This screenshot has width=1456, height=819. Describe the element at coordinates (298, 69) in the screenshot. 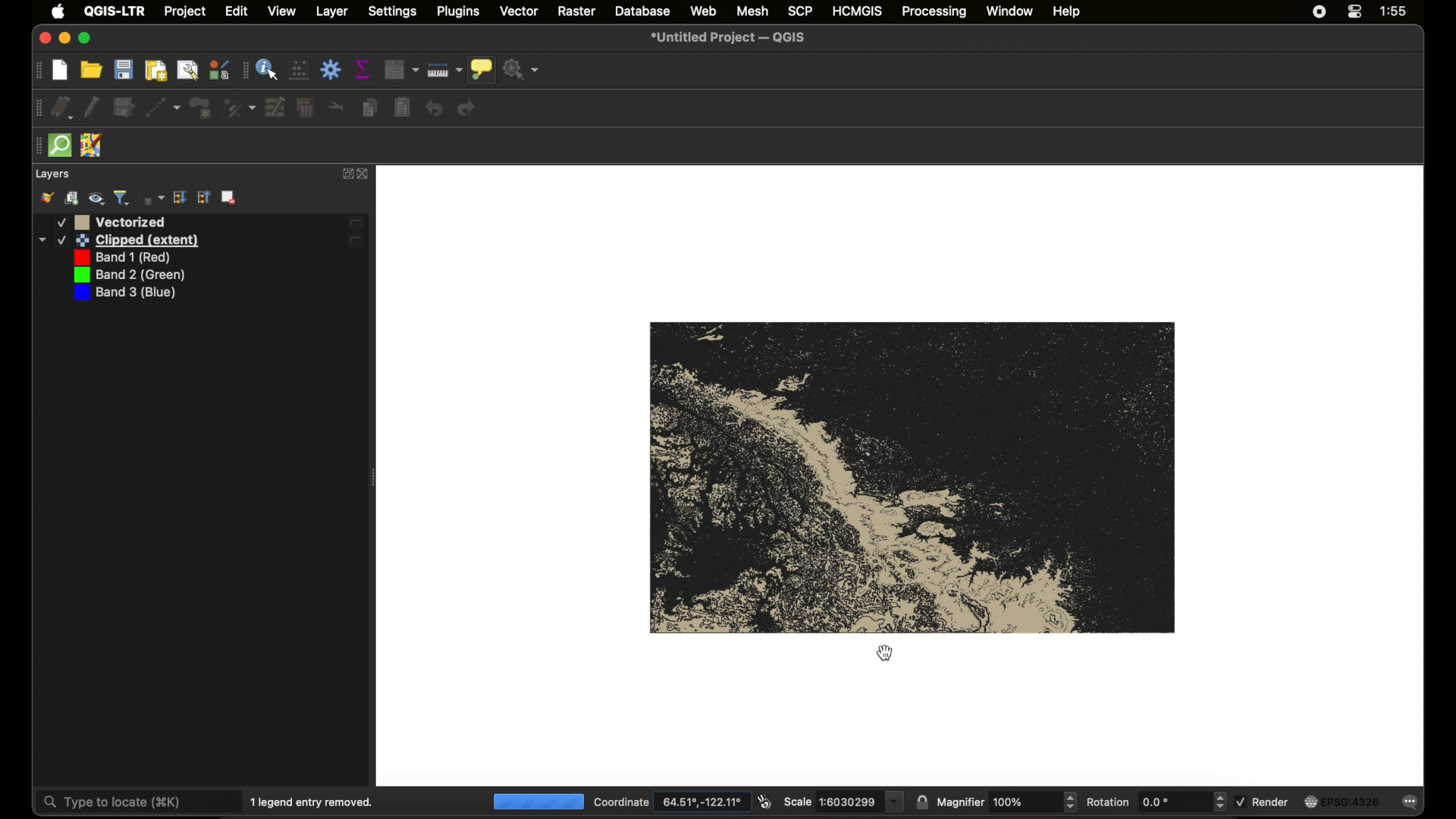

I see `open field calculator` at that location.